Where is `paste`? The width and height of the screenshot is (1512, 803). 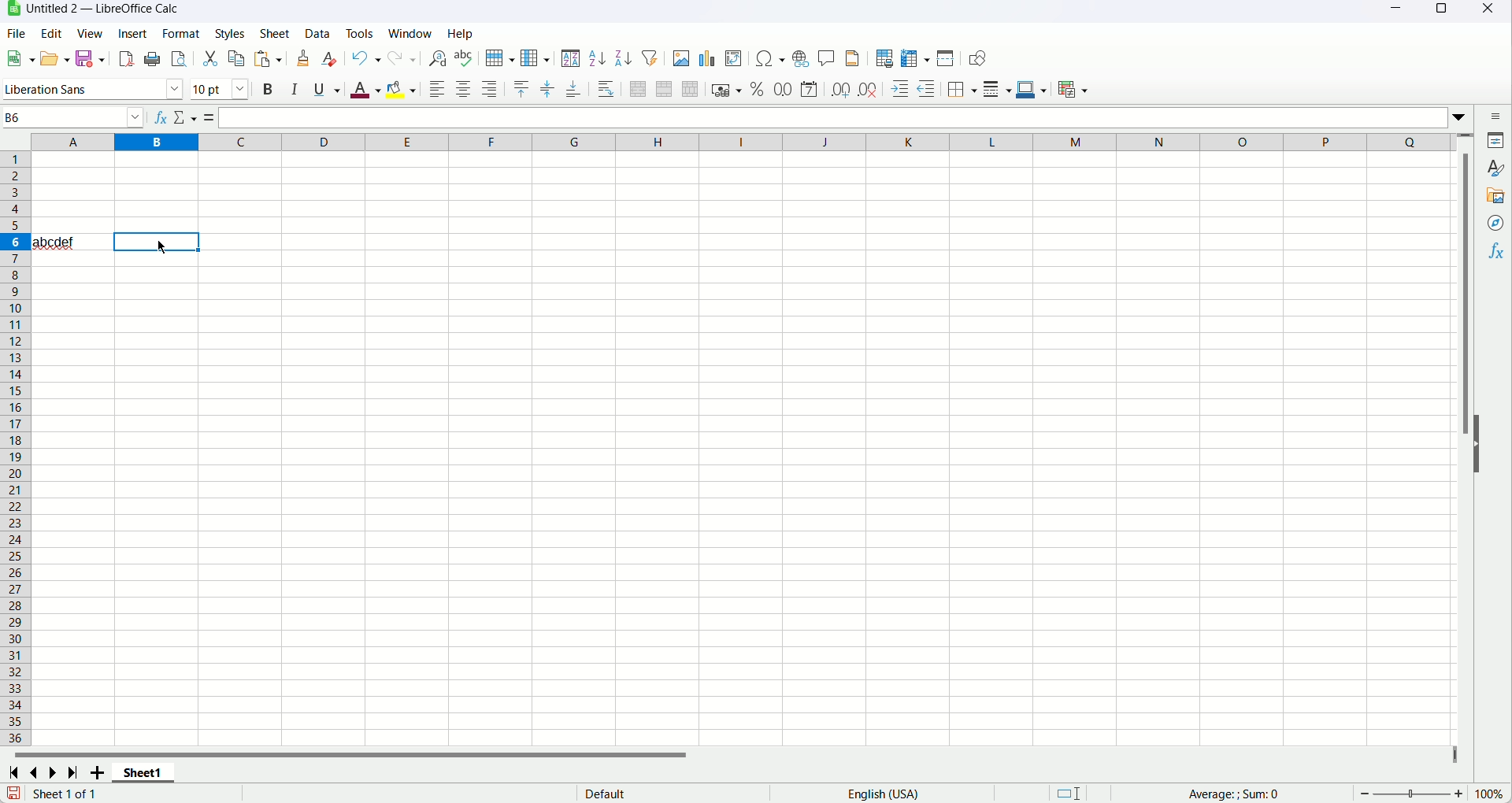 paste is located at coordinates (268, 58).